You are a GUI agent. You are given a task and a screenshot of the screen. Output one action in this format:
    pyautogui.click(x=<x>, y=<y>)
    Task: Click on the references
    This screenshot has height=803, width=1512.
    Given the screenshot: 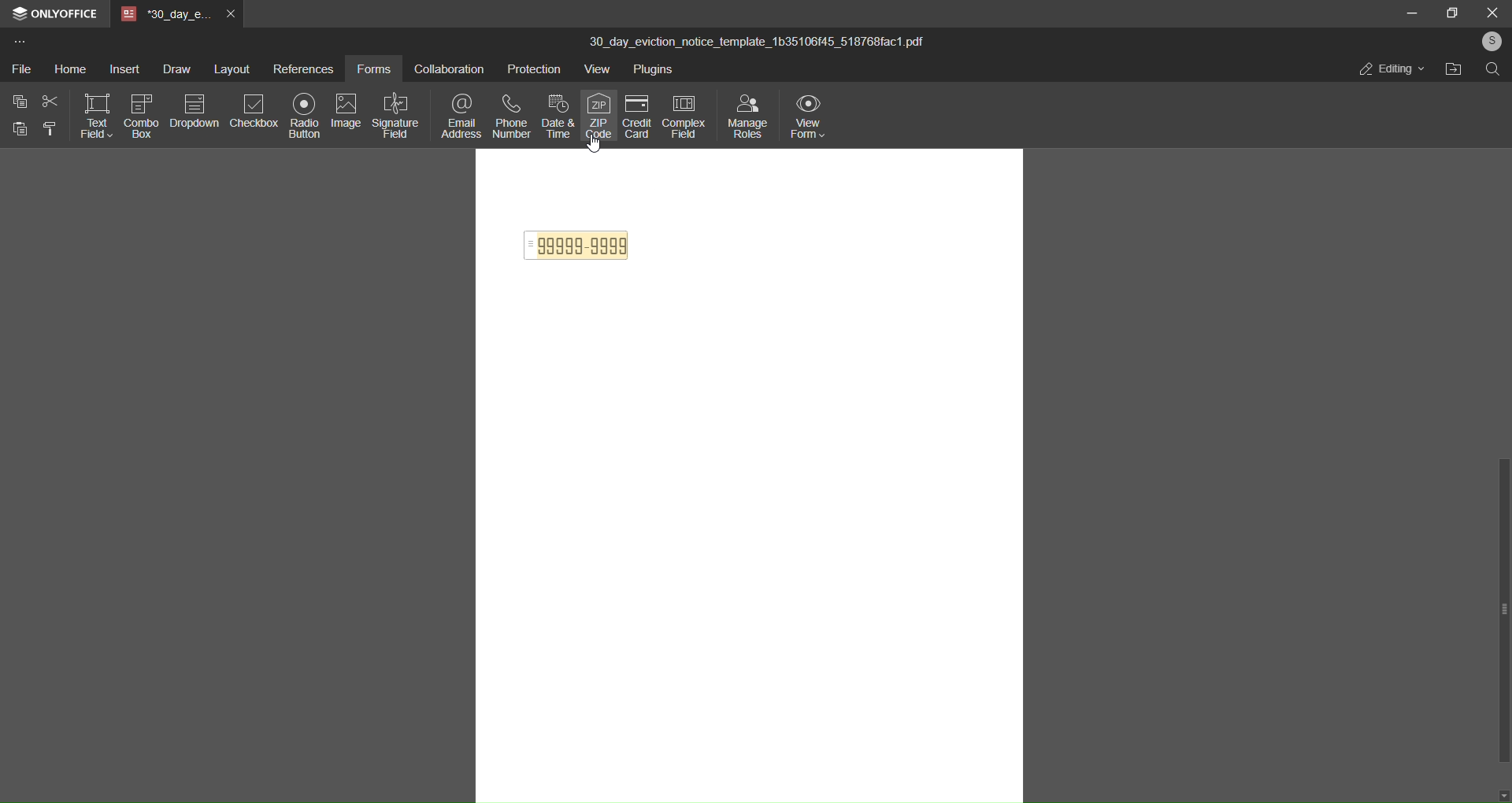 What is the action you would take?
    pyautogui.click(x=300, y=68)
    